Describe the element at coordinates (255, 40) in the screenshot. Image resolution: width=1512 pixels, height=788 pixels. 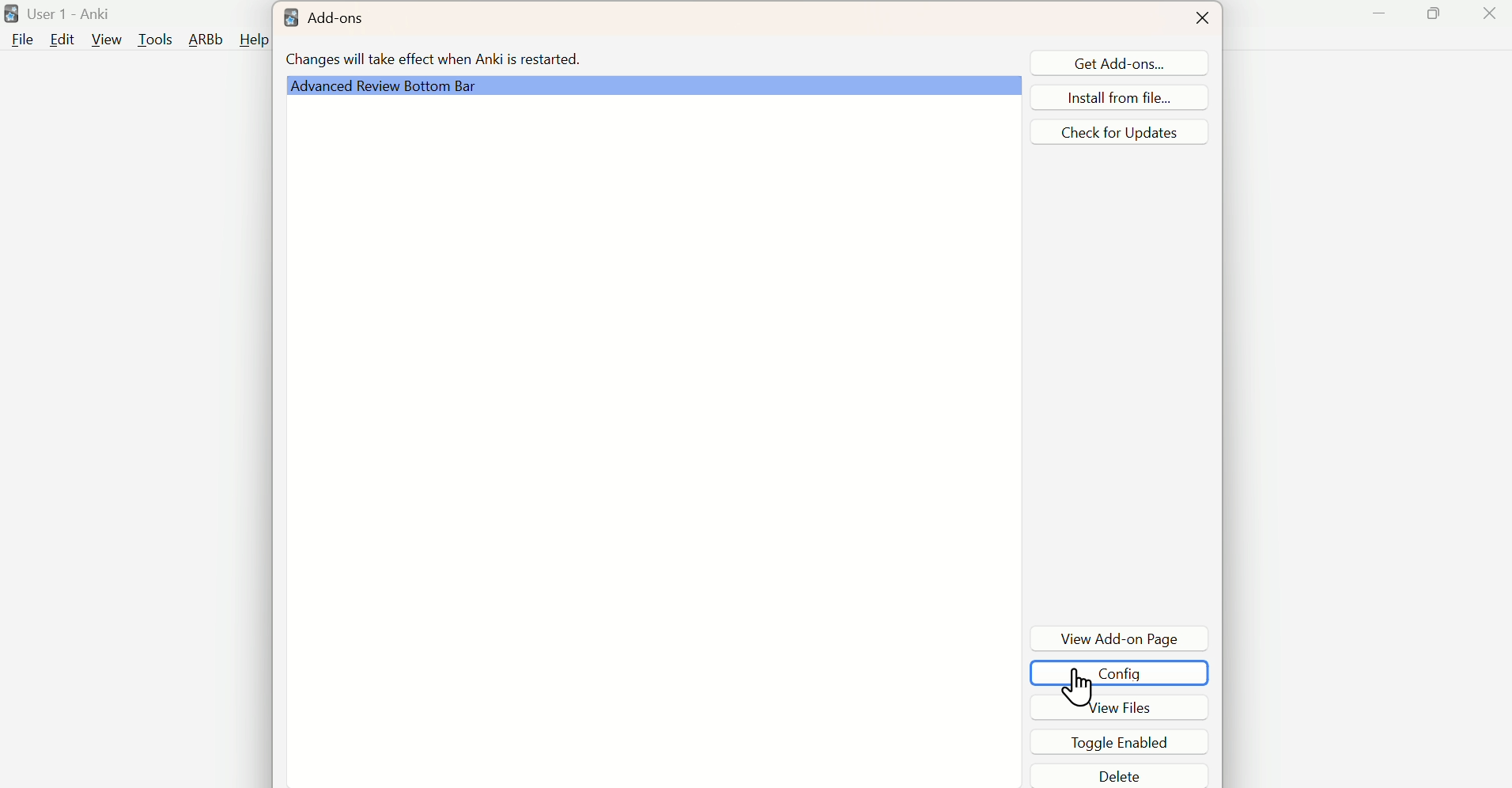
I see `Help` at that location.